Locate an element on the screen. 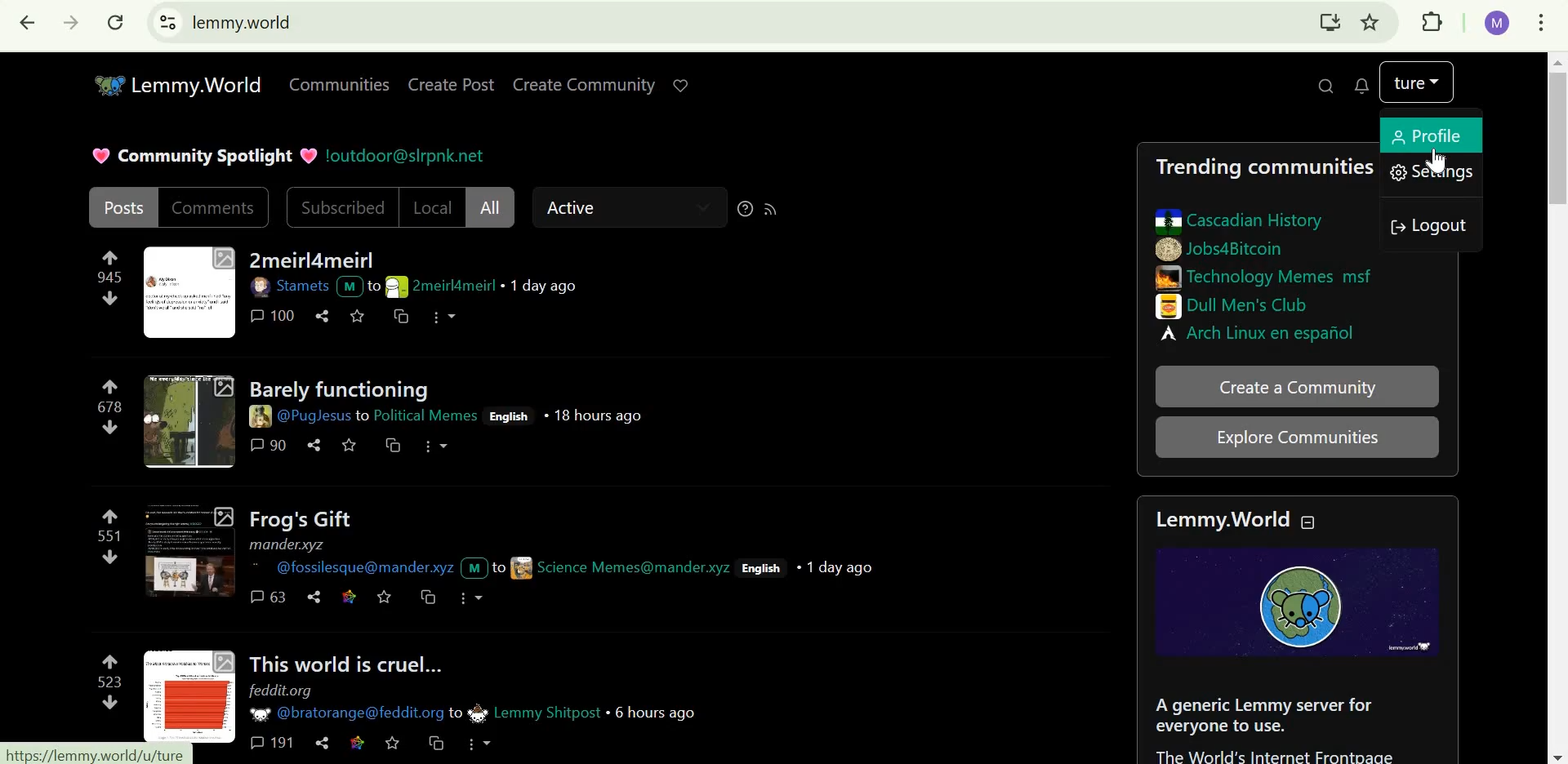 This screenshot has width=1568, height=764. 523 points is located at coordinates (107, 682).